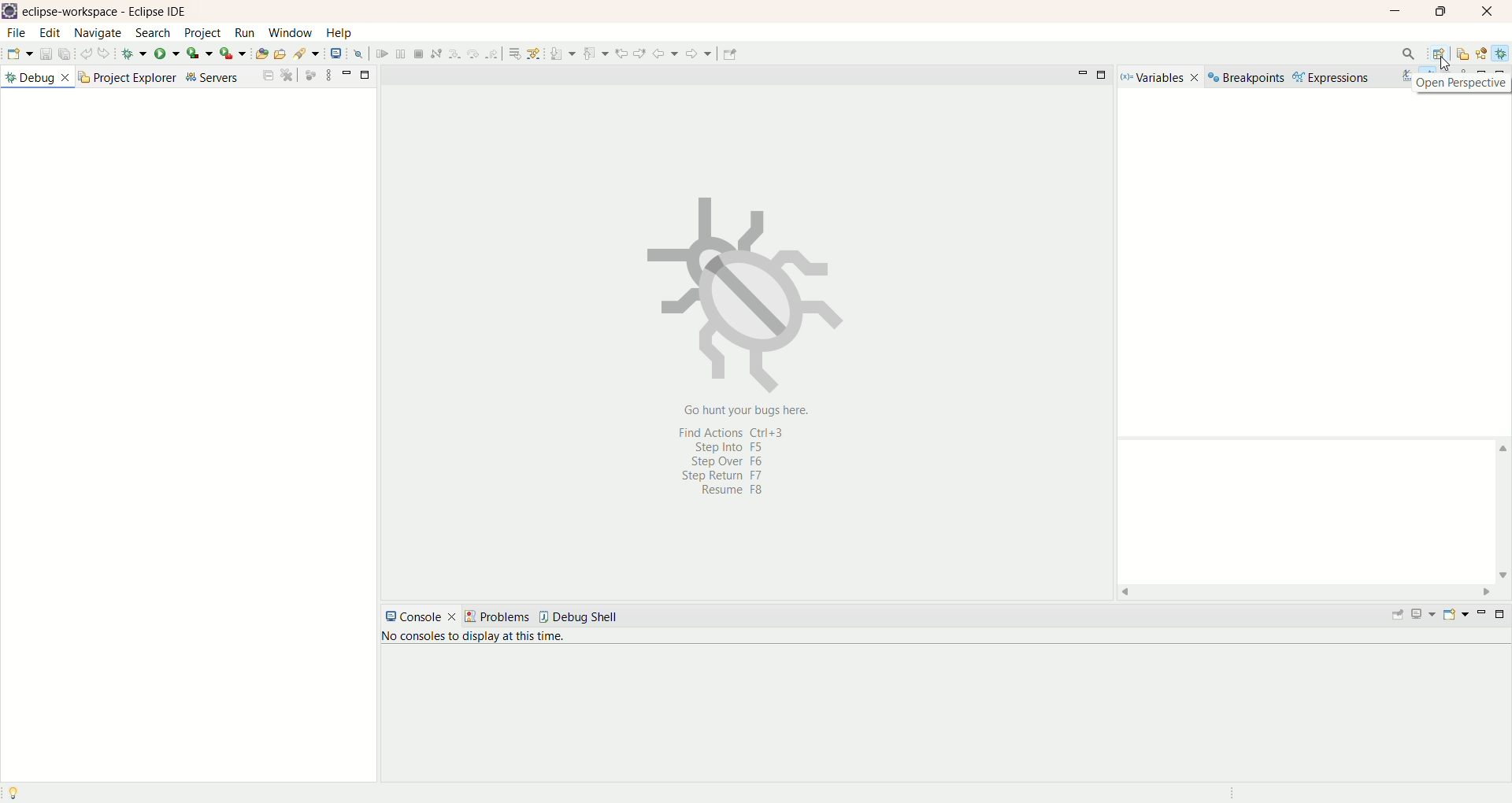 The image size is (1512, 803). What do you see at coordinates (1464, 55) in the screenshot?
I see `resources` at bounding box center [1464, 55].